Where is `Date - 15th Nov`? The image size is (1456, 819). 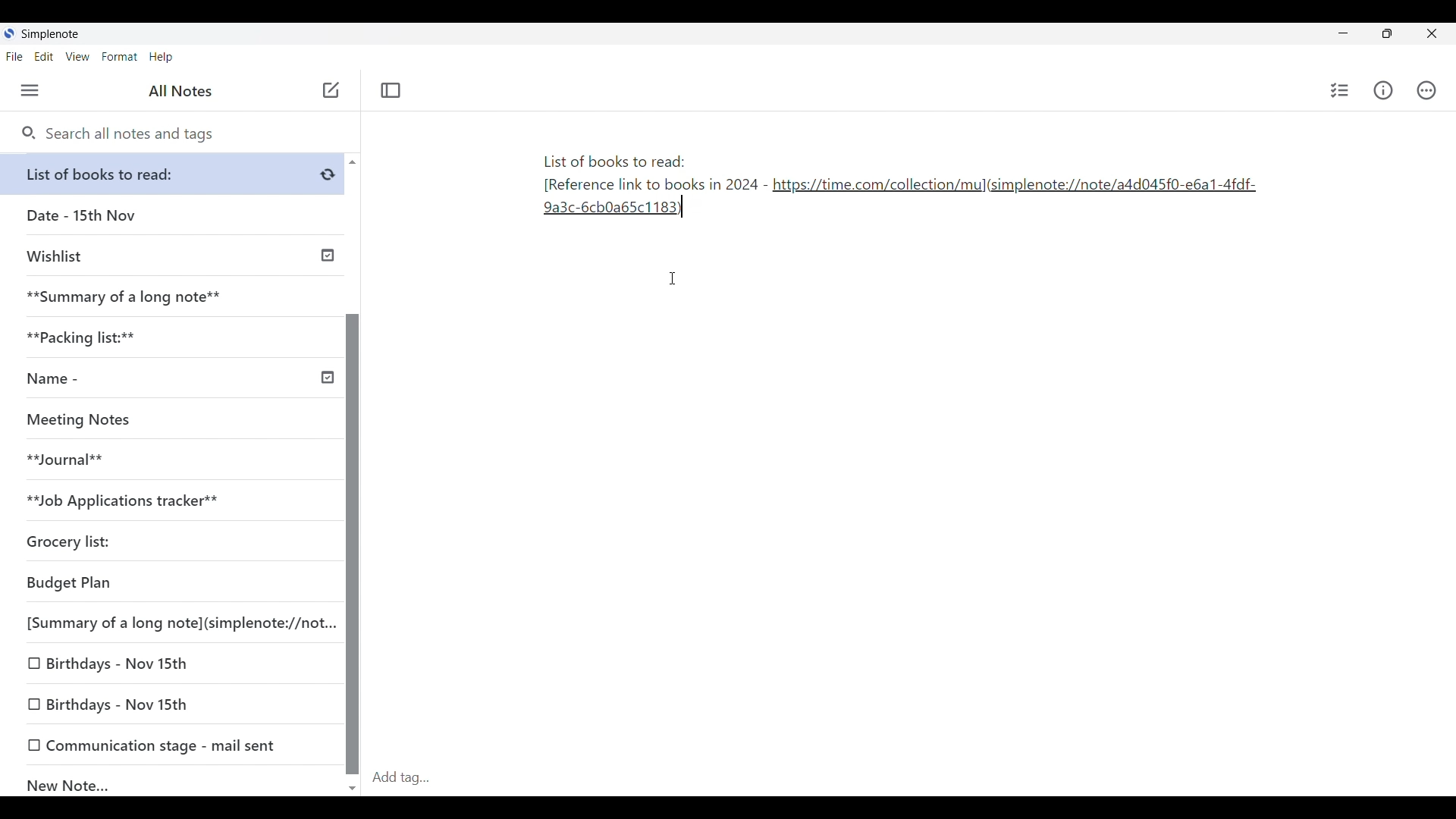
Date - 15th Nov is located at coordinates (173, 215).